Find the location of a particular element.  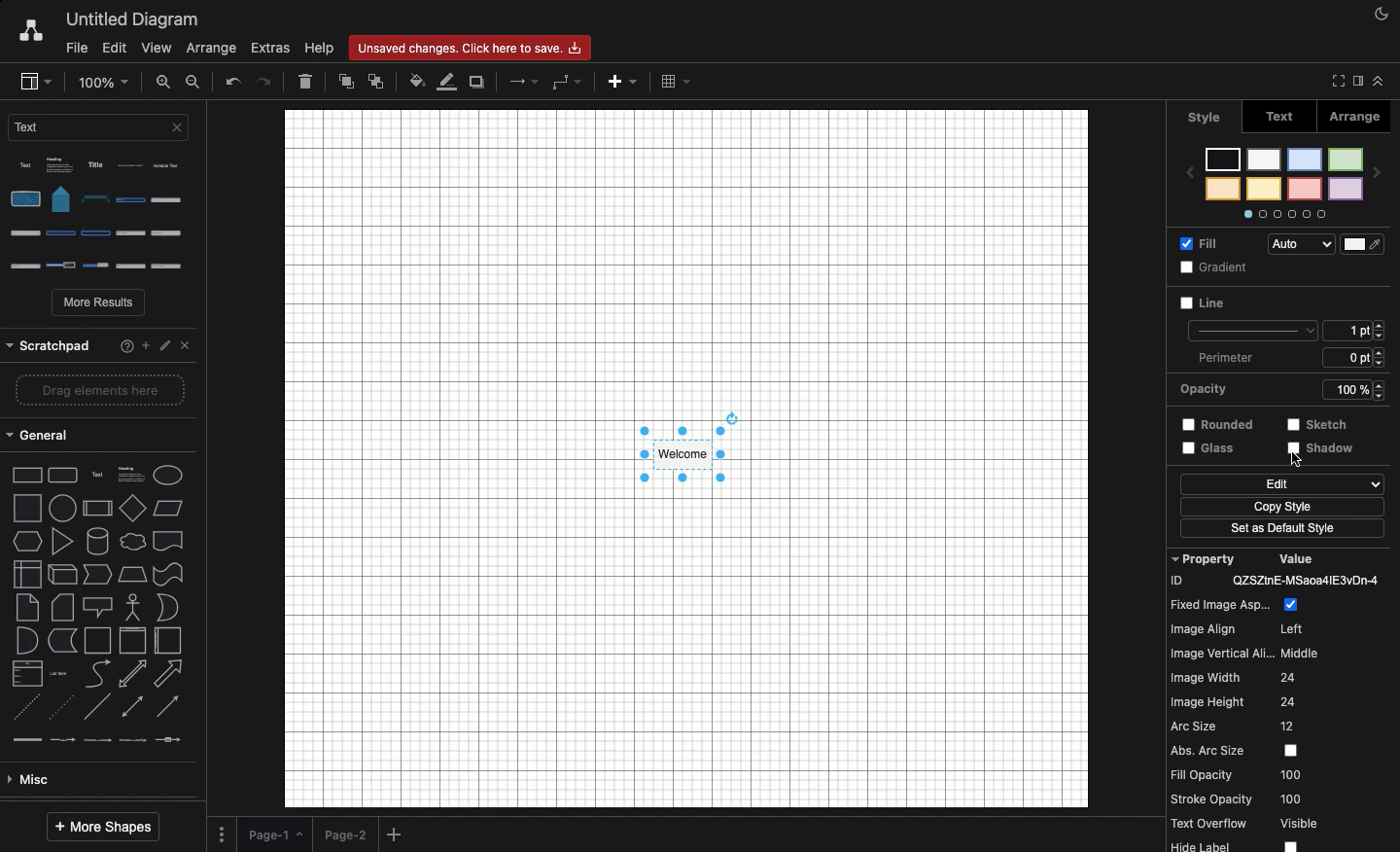

Size is located at coordinates (1358, 301).